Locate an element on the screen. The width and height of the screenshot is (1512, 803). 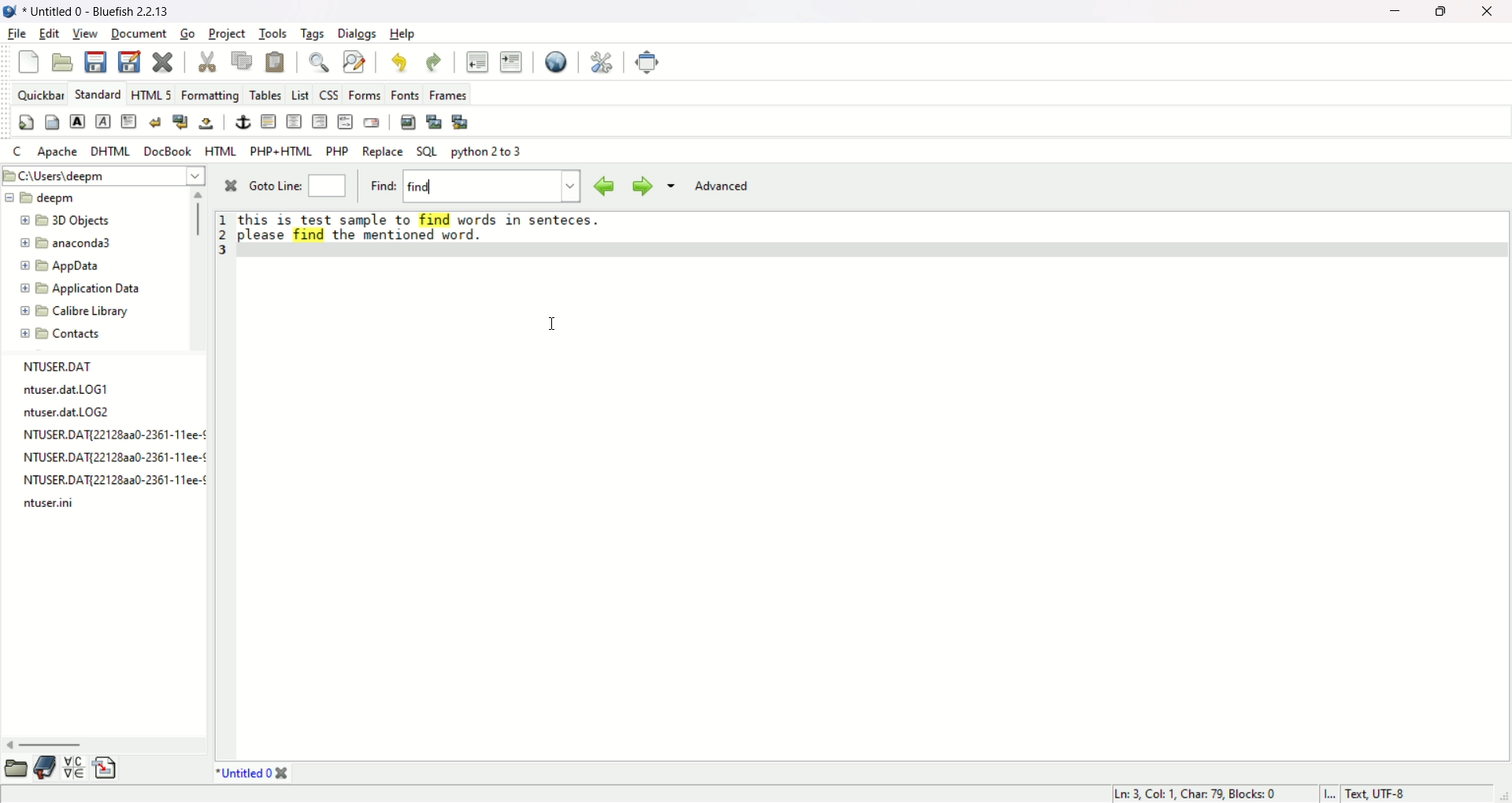
move up is located at coordinates (199, 194).